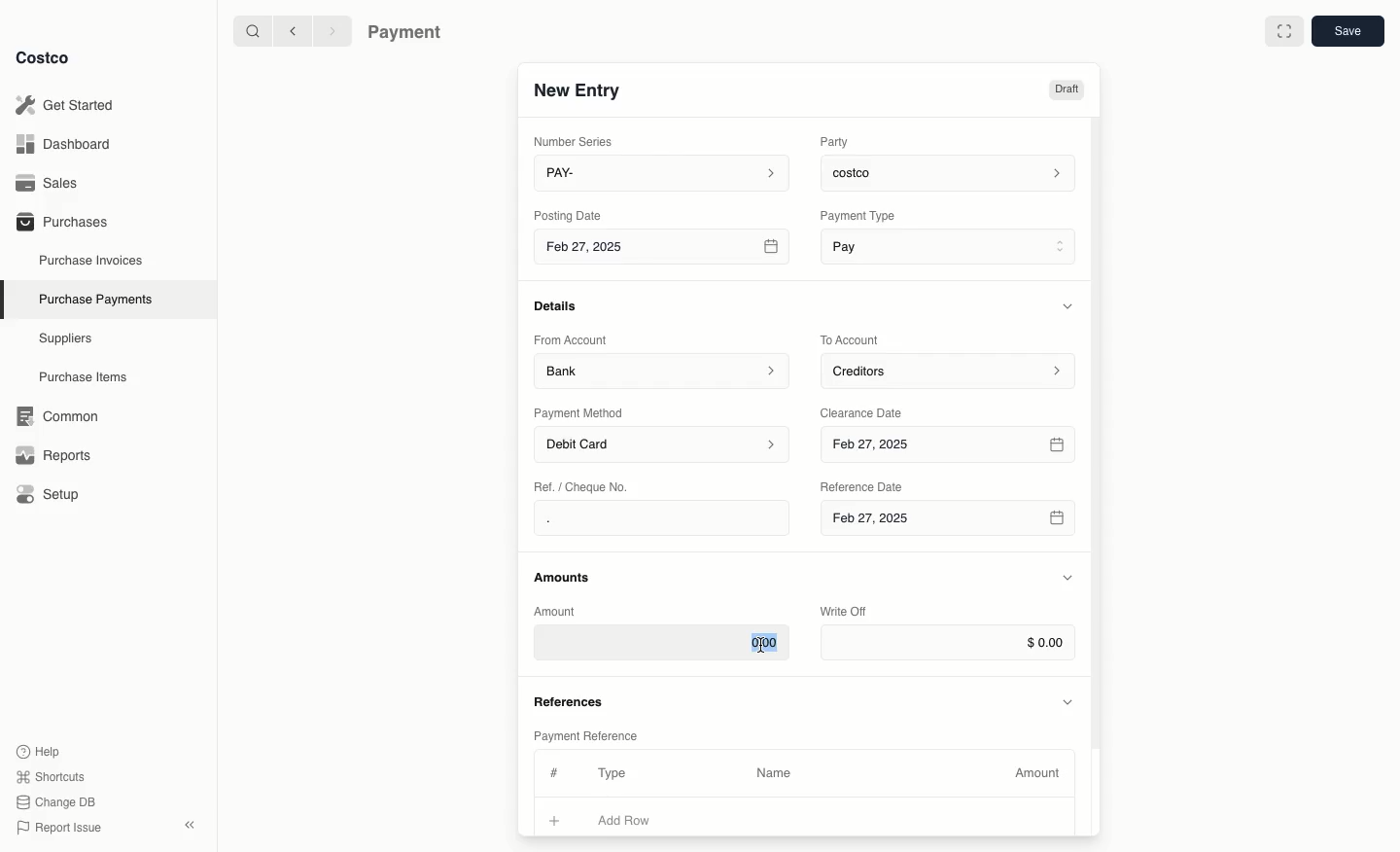 The height and width of the screenshot is (852, 1400). What do you see at coordinates (54, 496) in the screenshot?
I see `Setup` at bounding box center [54, 496].